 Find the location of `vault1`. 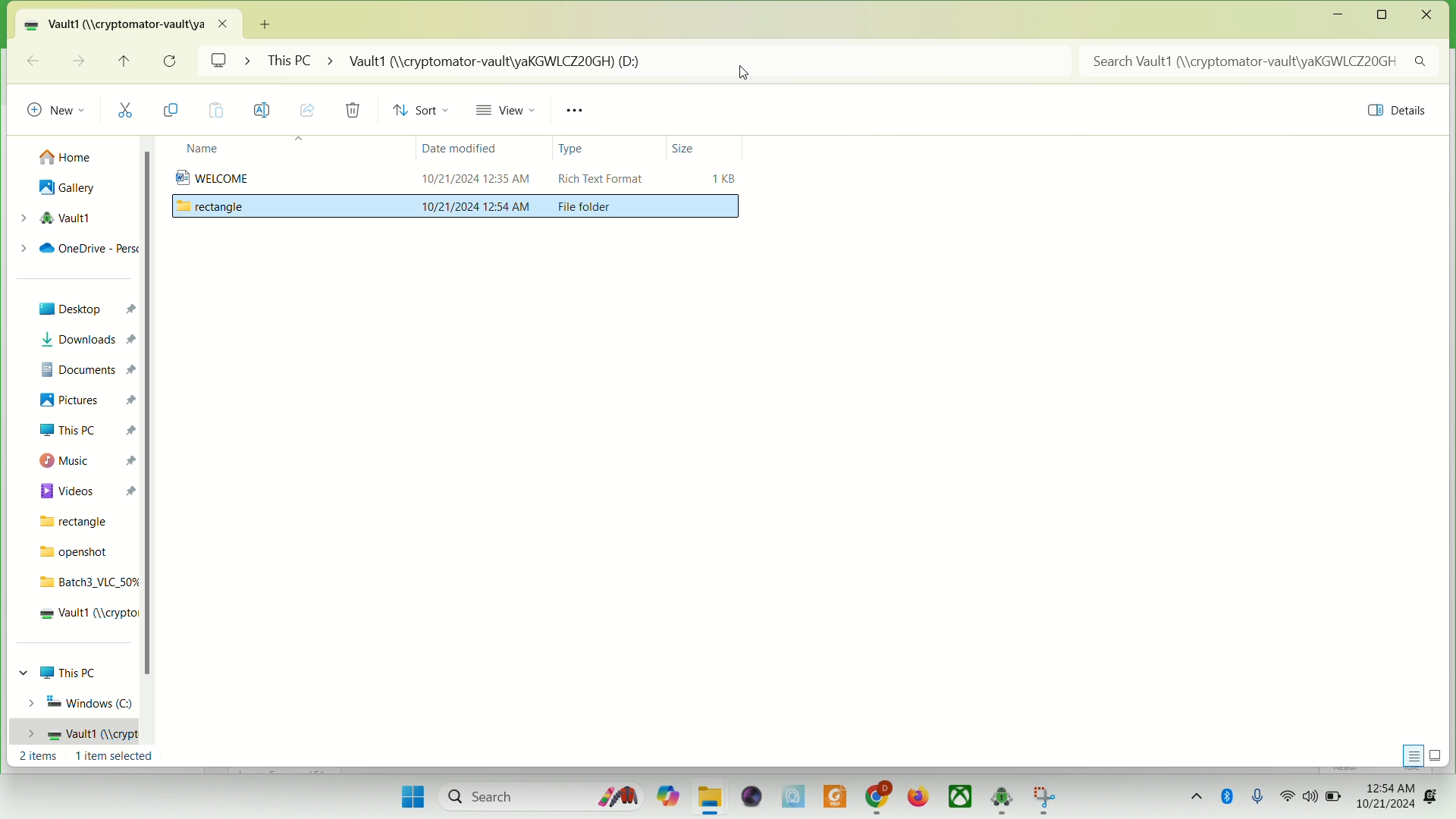

vault1 is located at coordinates (54, 218).